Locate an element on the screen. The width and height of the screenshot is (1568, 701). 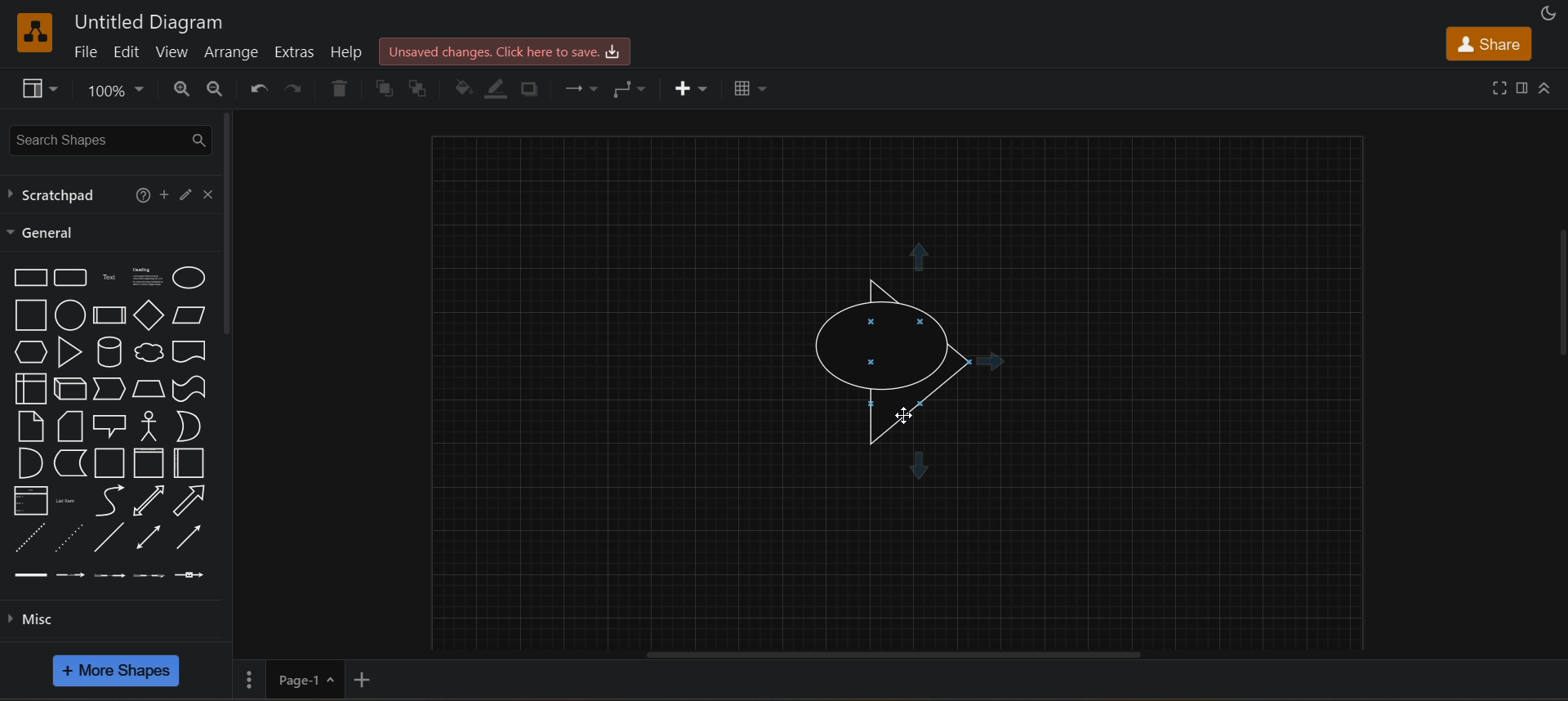
connector with 3 label is located at coordinates (150, 575).